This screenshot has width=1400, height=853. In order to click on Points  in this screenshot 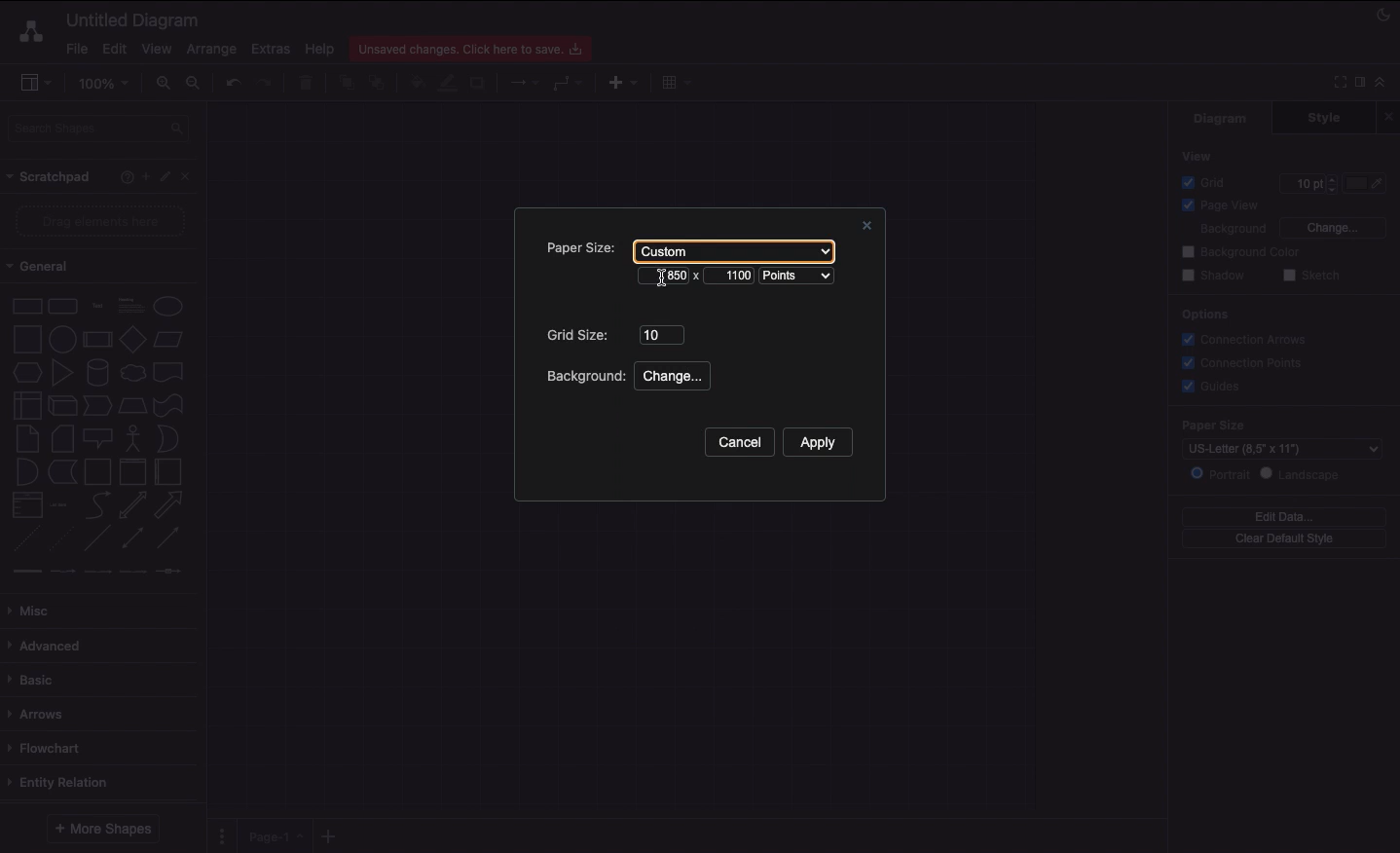, I will do `click(801, 277)`.